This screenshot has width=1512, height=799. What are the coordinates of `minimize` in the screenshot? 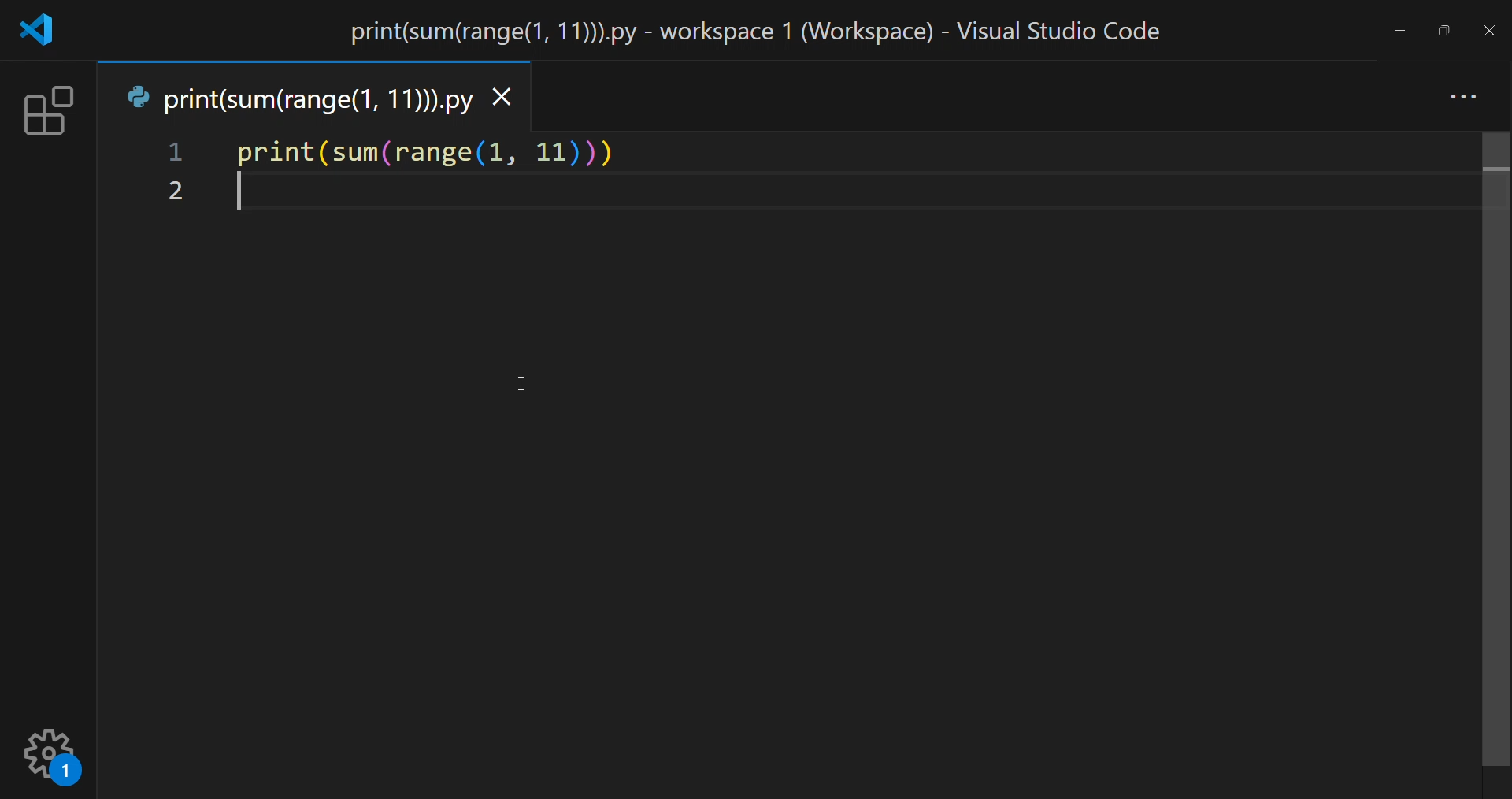 It's located at (1398, 28).